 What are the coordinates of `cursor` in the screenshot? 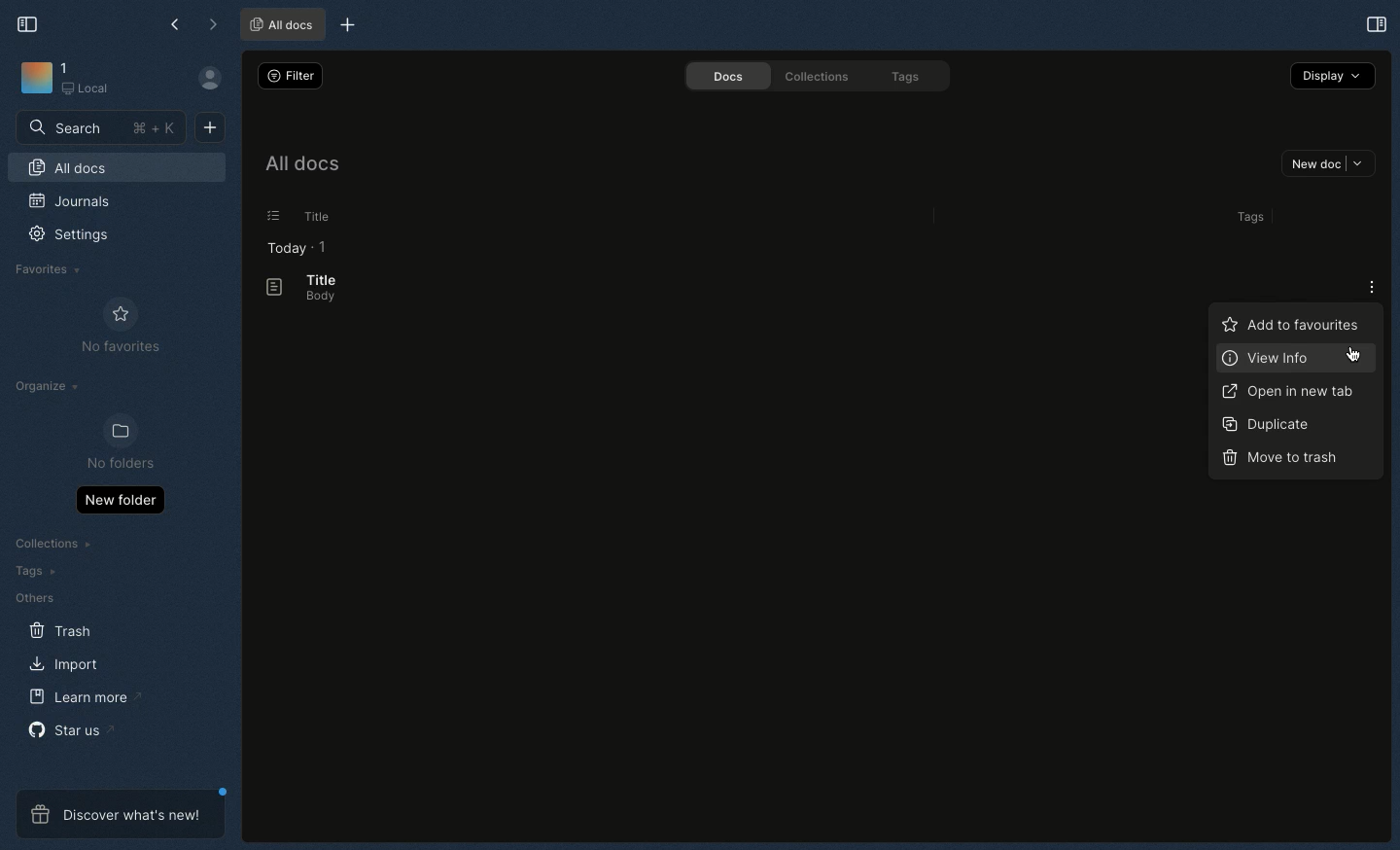 It's located at (1357, 358).